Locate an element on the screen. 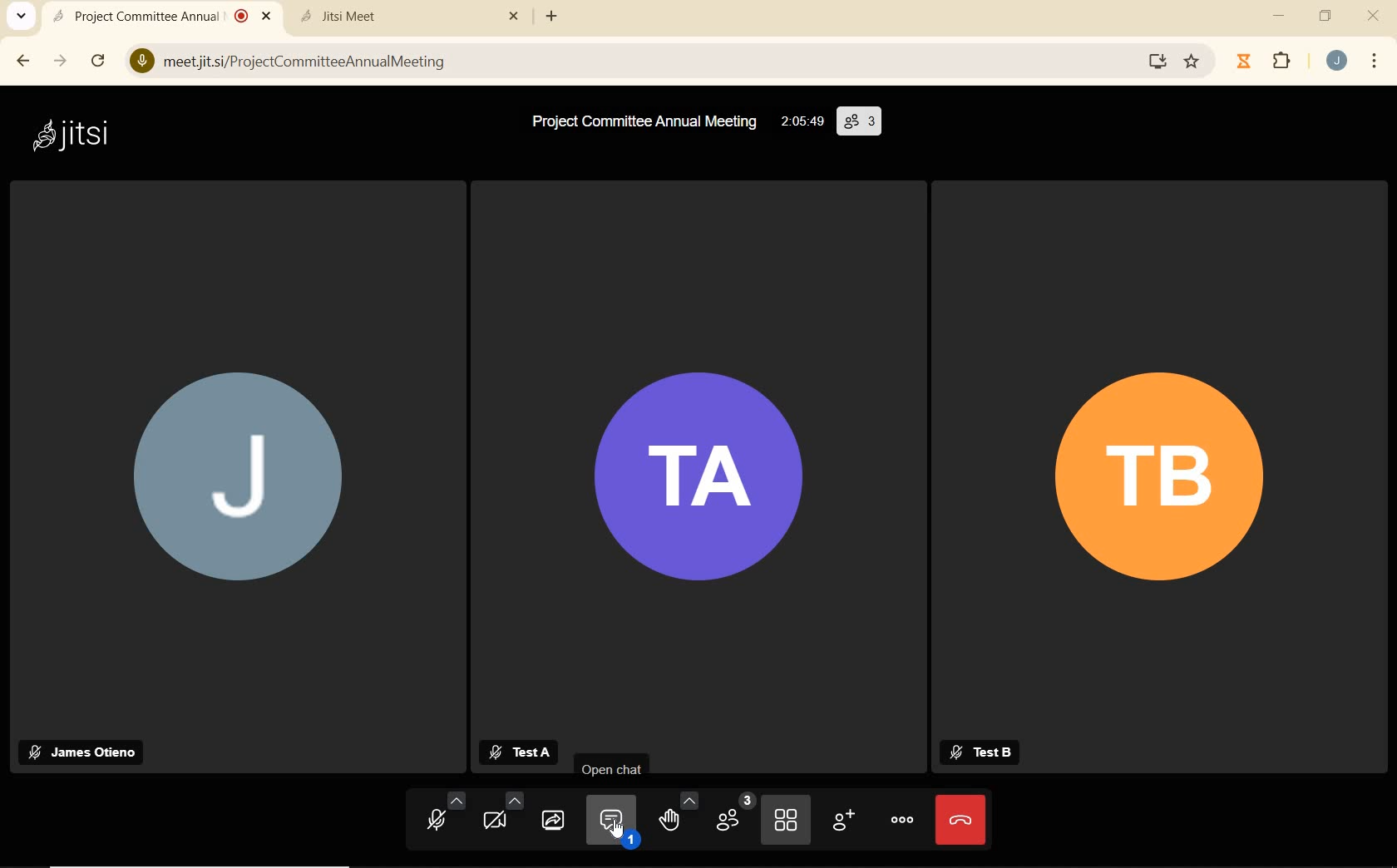  open chat is located at coordinates (613, 768).